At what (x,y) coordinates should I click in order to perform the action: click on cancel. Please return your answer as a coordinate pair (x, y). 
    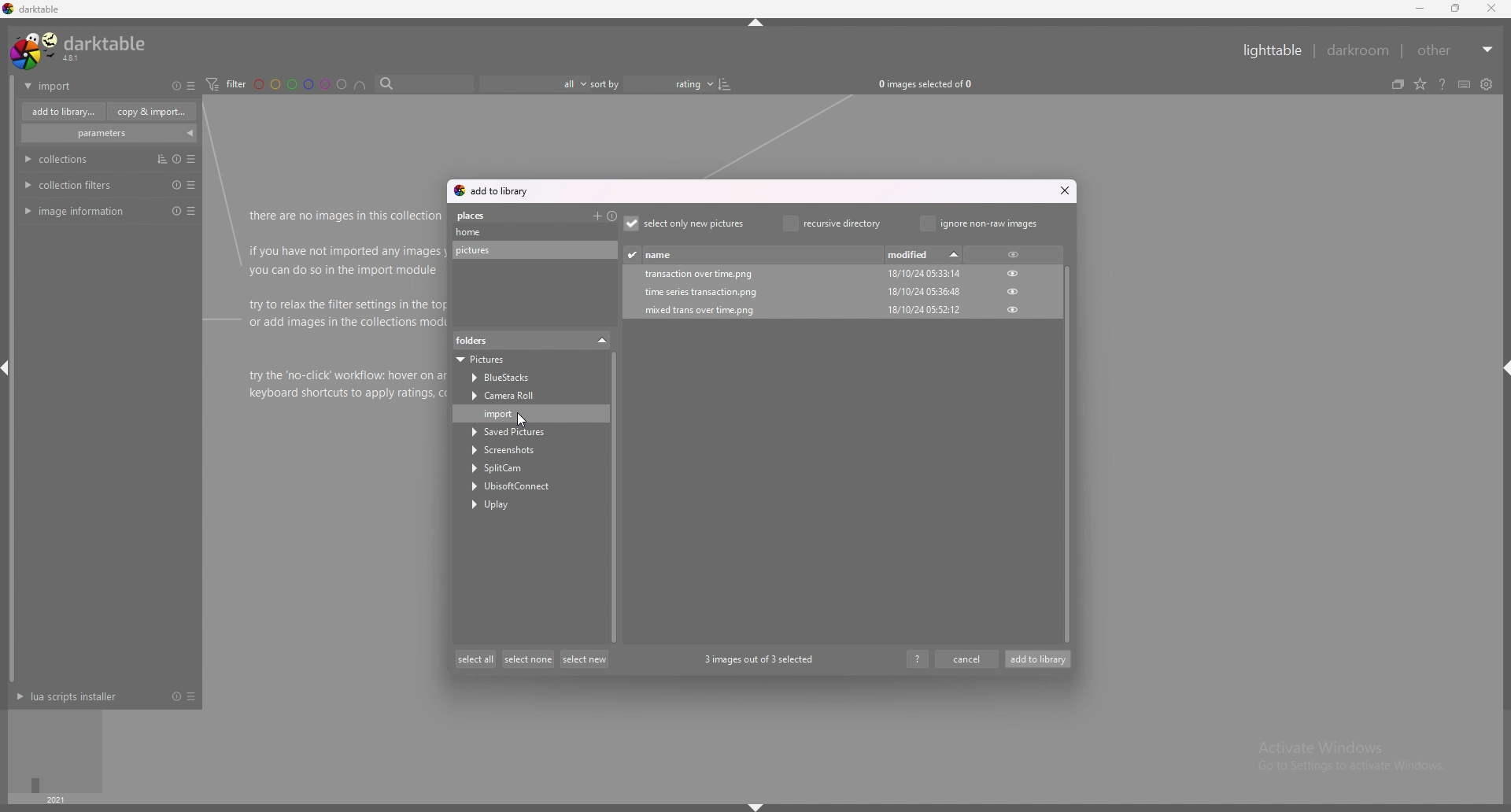
    Looking at the image, I should click on (967, 660).